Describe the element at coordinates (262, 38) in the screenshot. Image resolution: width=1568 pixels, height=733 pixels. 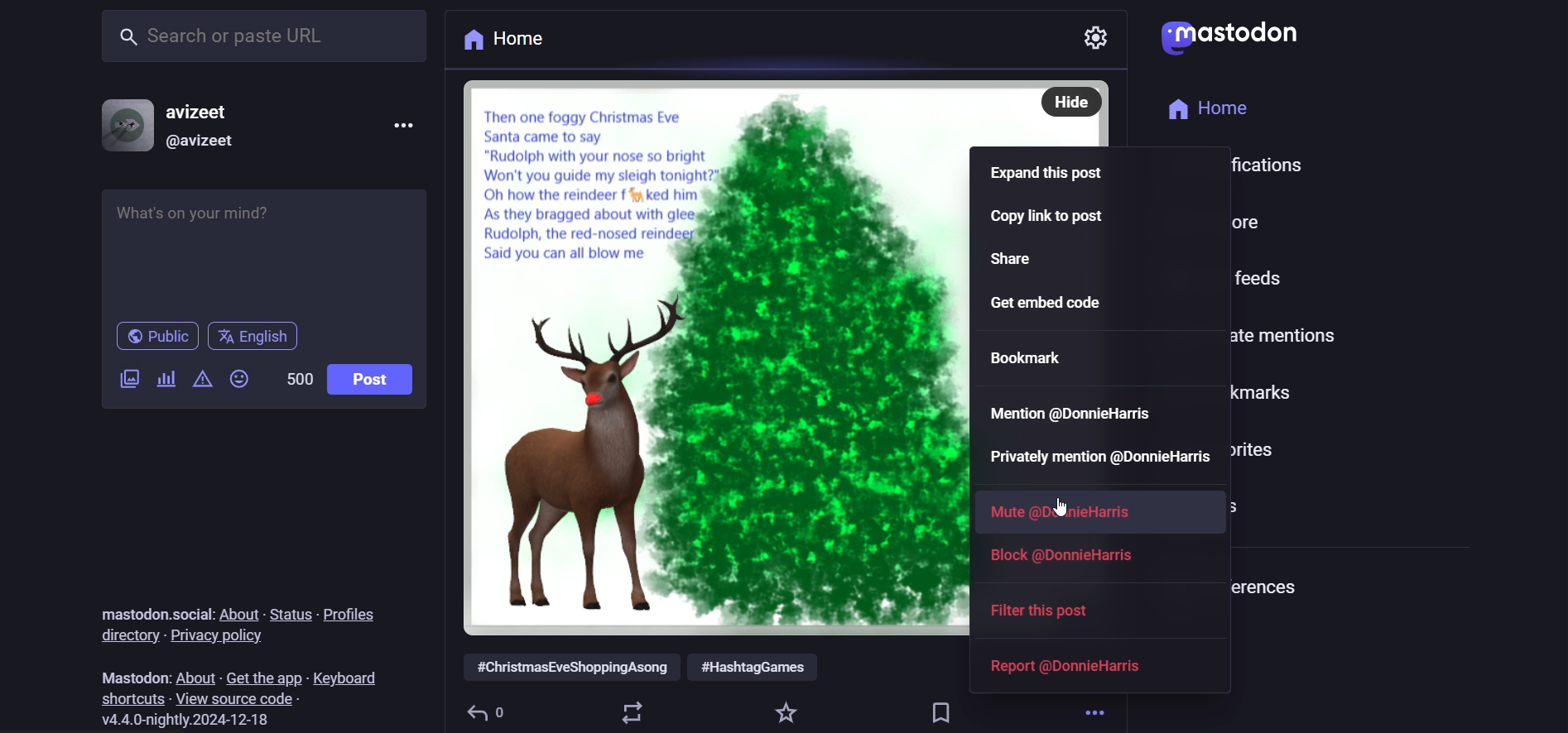
I see `search bar` at that location.